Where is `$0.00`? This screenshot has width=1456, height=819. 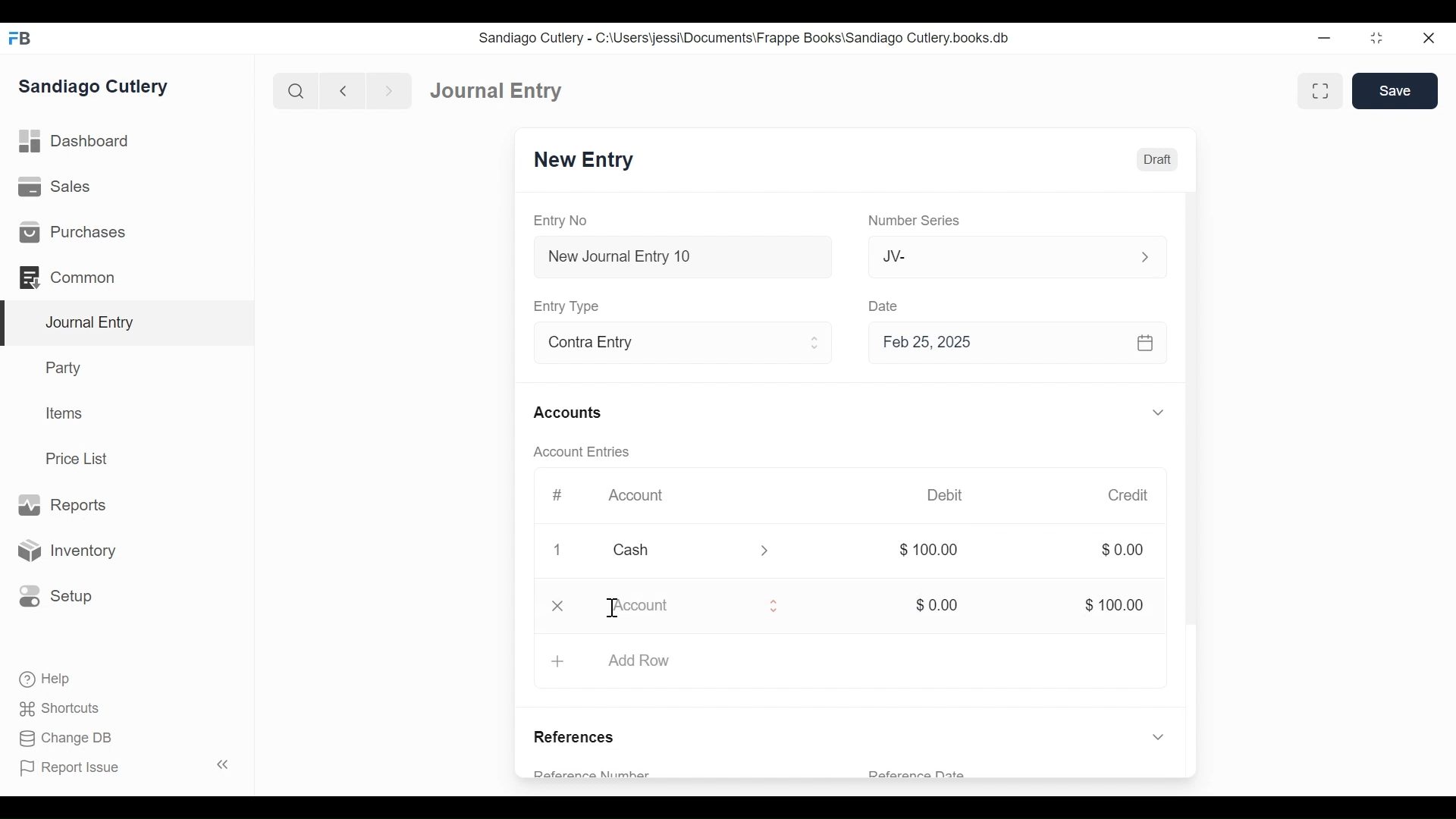
$0.00 is located at coordinates (934, 605).